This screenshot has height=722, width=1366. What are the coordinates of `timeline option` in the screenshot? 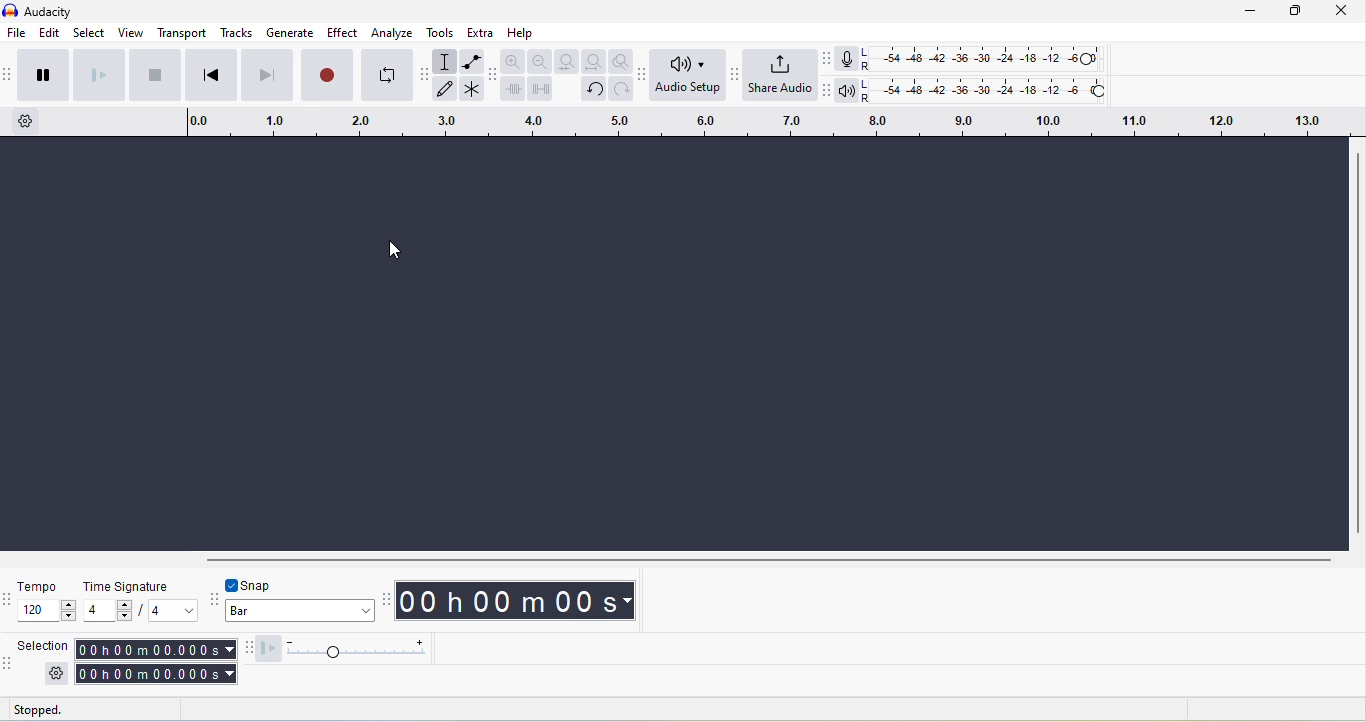 It's located at (27, 121).